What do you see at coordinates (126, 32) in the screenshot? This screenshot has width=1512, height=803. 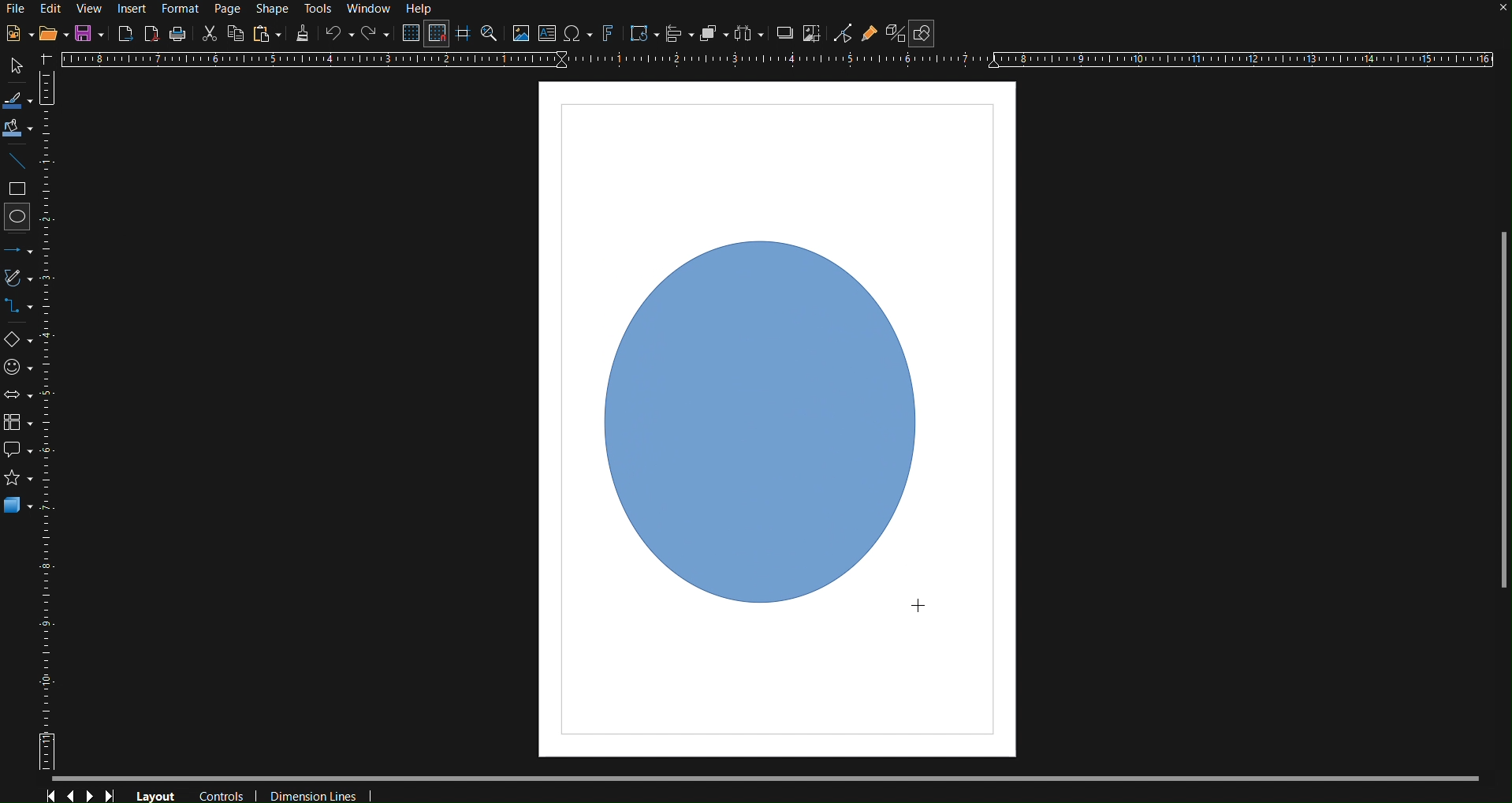 I see `Export` at bounding box center [126, 32].